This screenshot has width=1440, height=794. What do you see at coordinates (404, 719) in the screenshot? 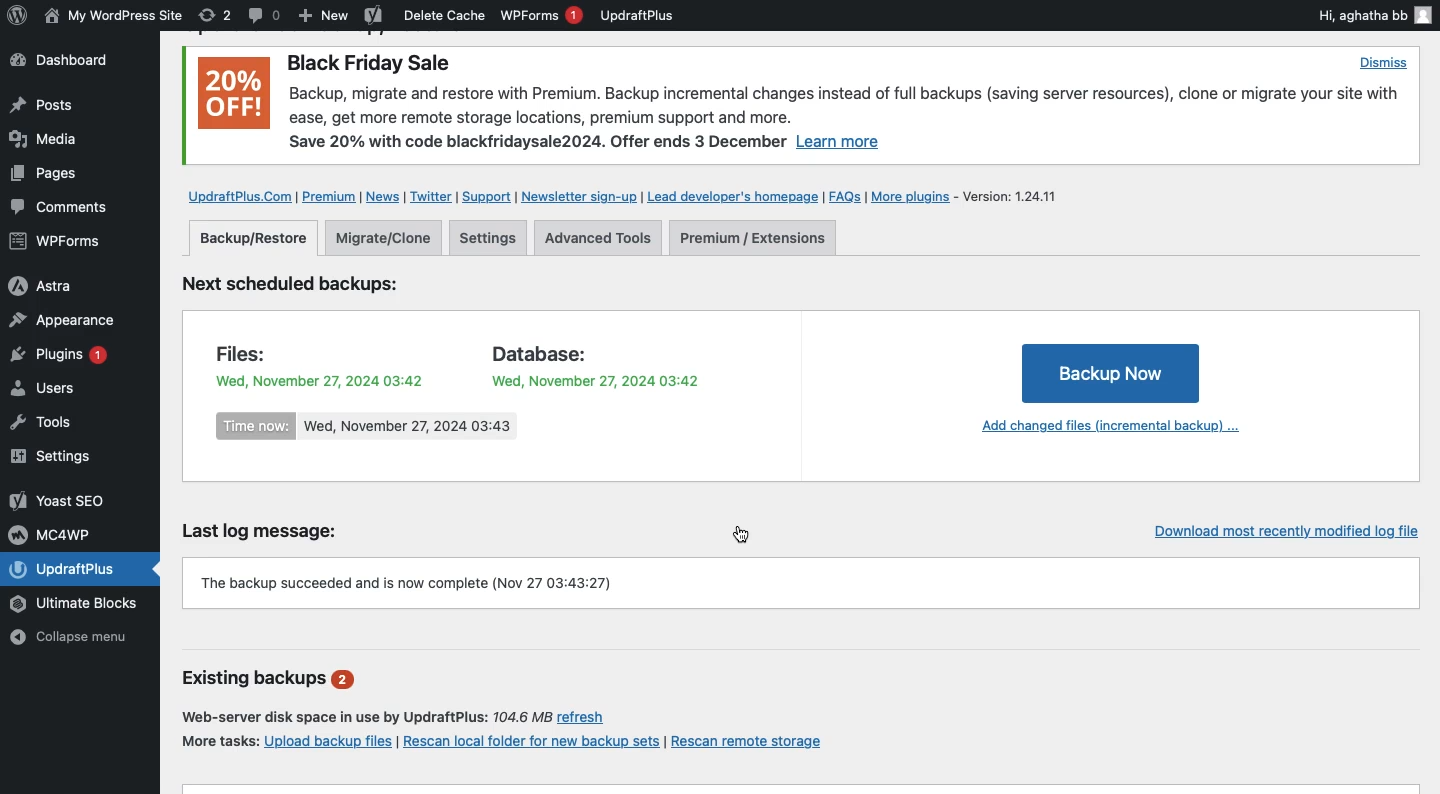
I see `Web-server disk space in use by UpdraftPlus: 7104.6 MB refresh` at bounding box center [404, 719].